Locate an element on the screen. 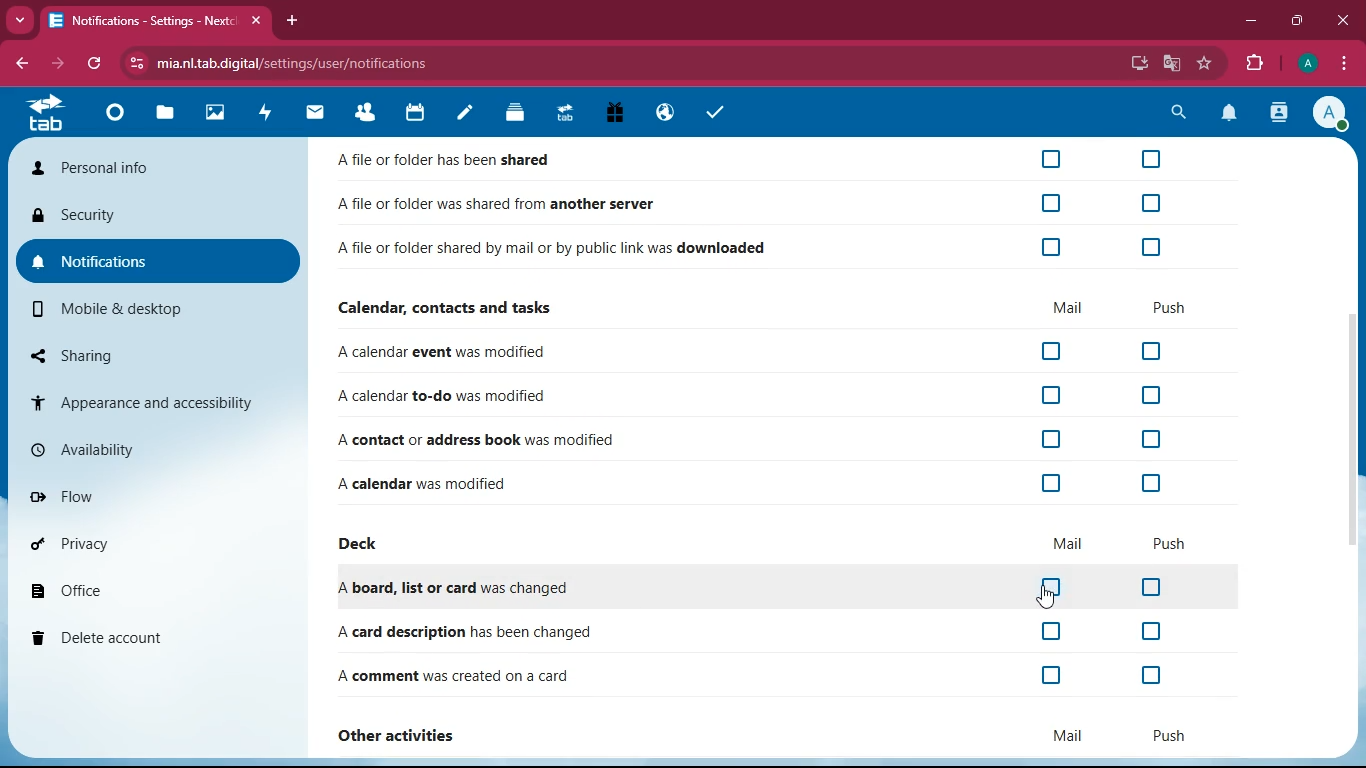 The image size is (1366, 768). A board, list or card was changed is located at coordinates (463, 581).